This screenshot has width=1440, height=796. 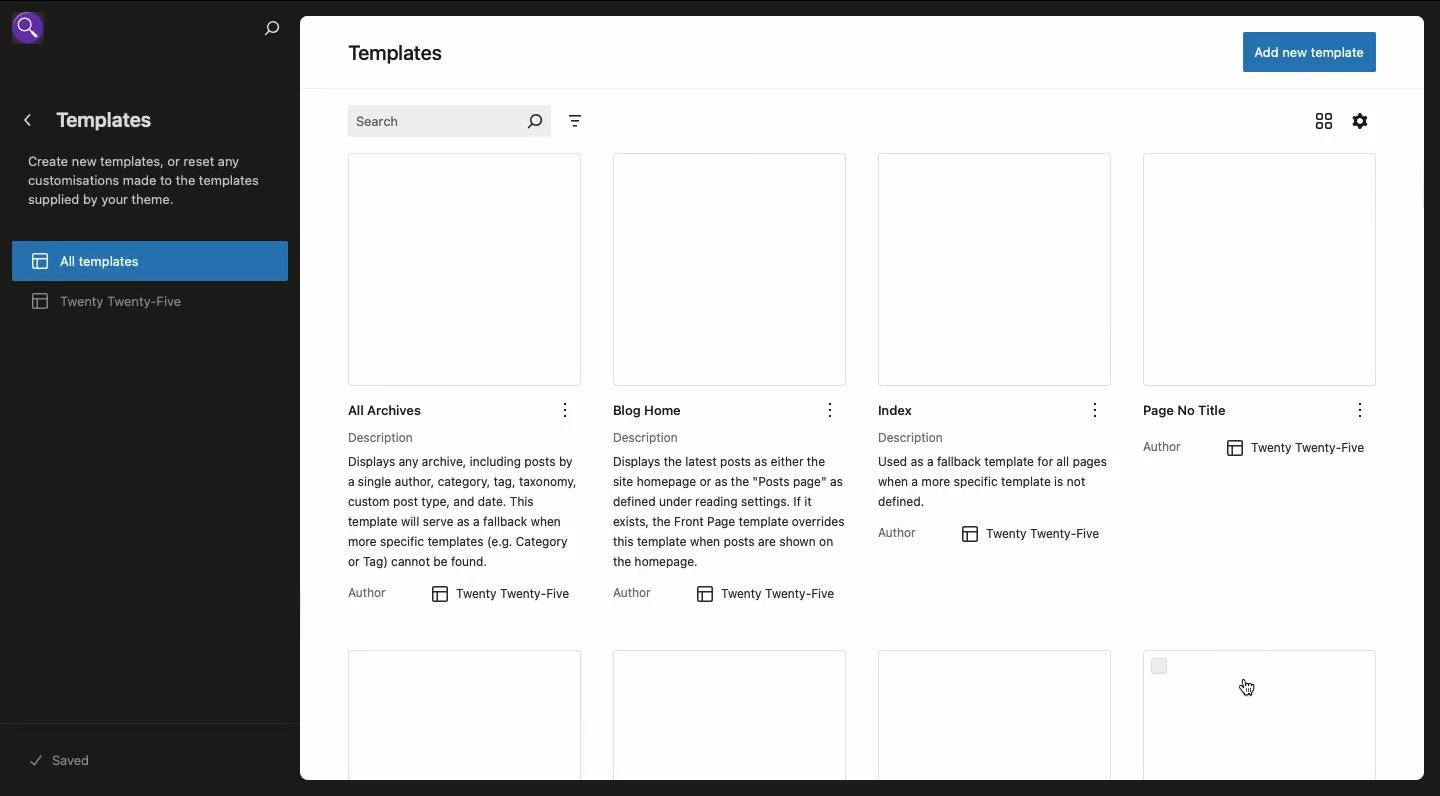 What do you see at coordinates (40, 32) in the screenshot?
I see `logo` at bounding box center [40, 32].